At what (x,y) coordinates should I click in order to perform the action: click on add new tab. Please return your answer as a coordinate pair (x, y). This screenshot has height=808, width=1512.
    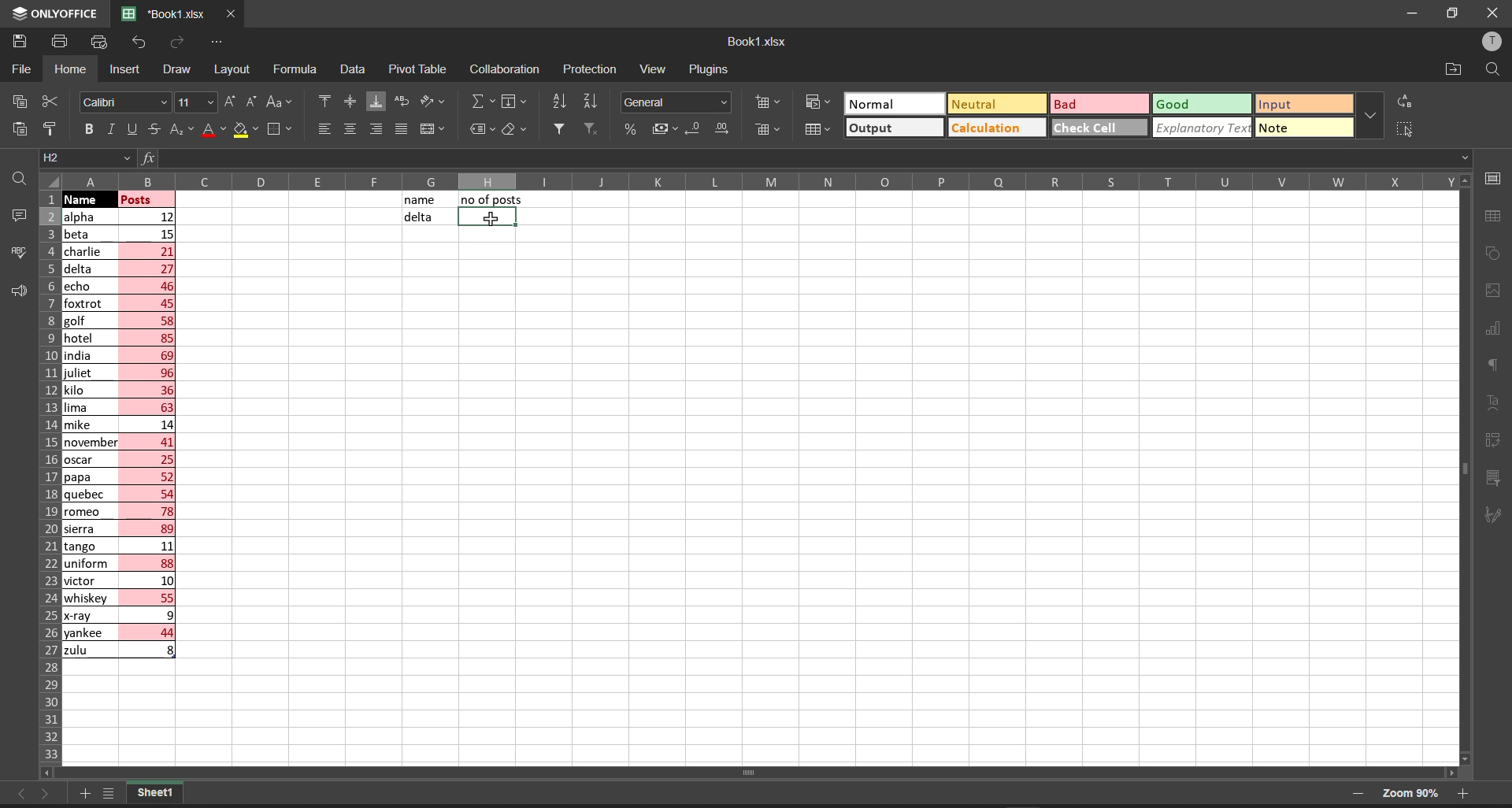
    Looking at the image, I should click on (87, 791).